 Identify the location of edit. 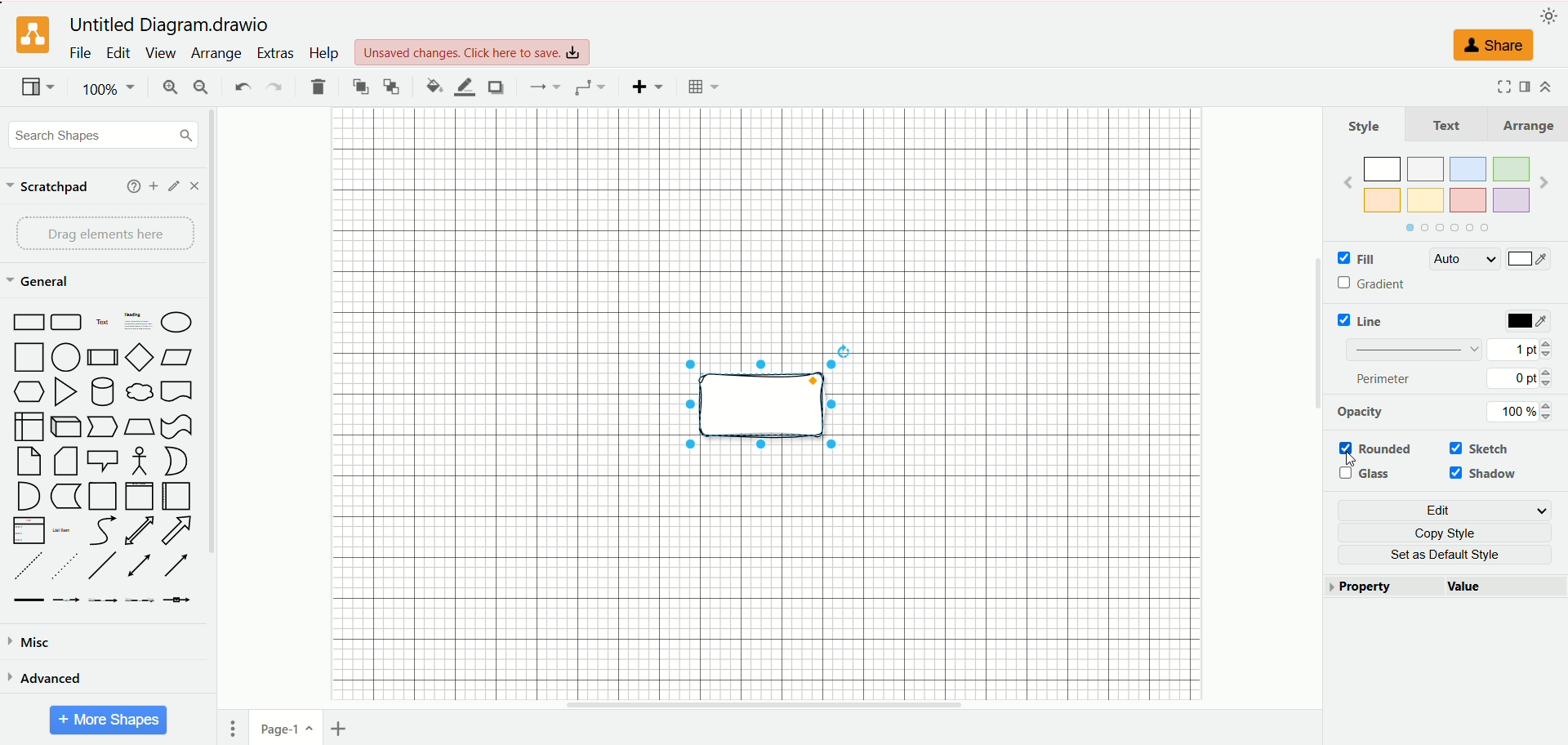
(1448, 511).